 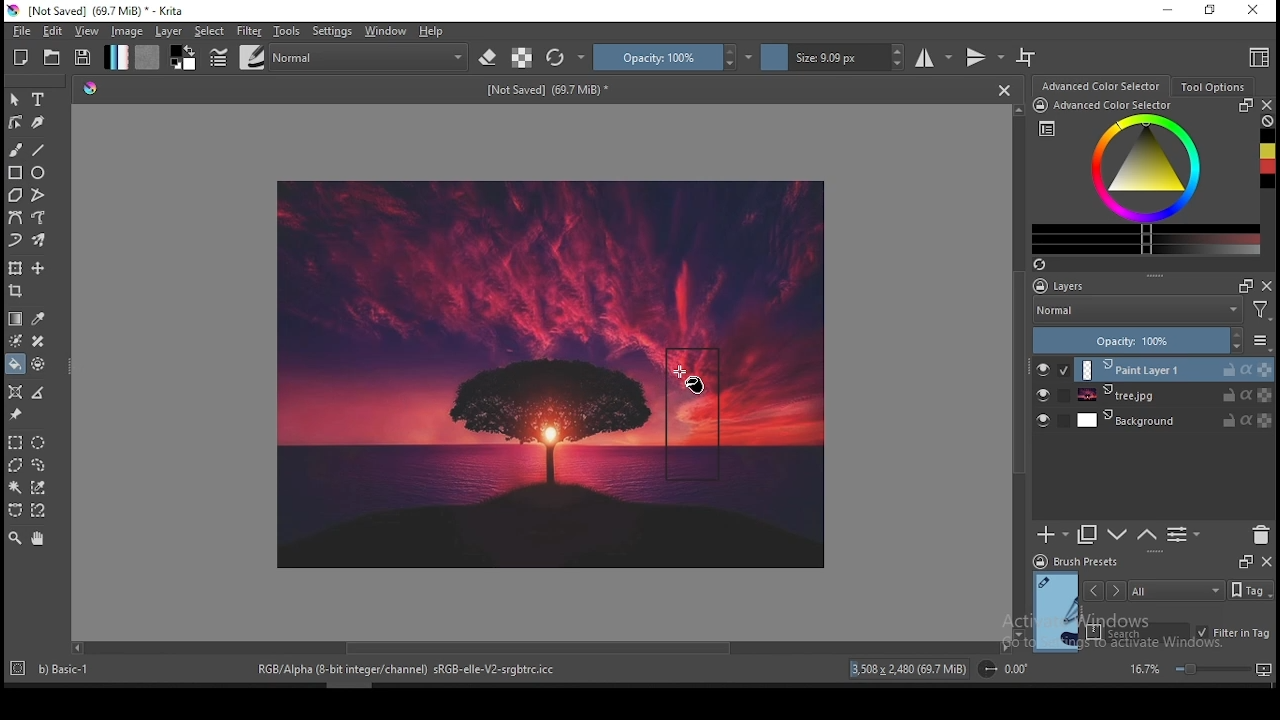 I want to click on scroll bar, so click(x=343, y=684).